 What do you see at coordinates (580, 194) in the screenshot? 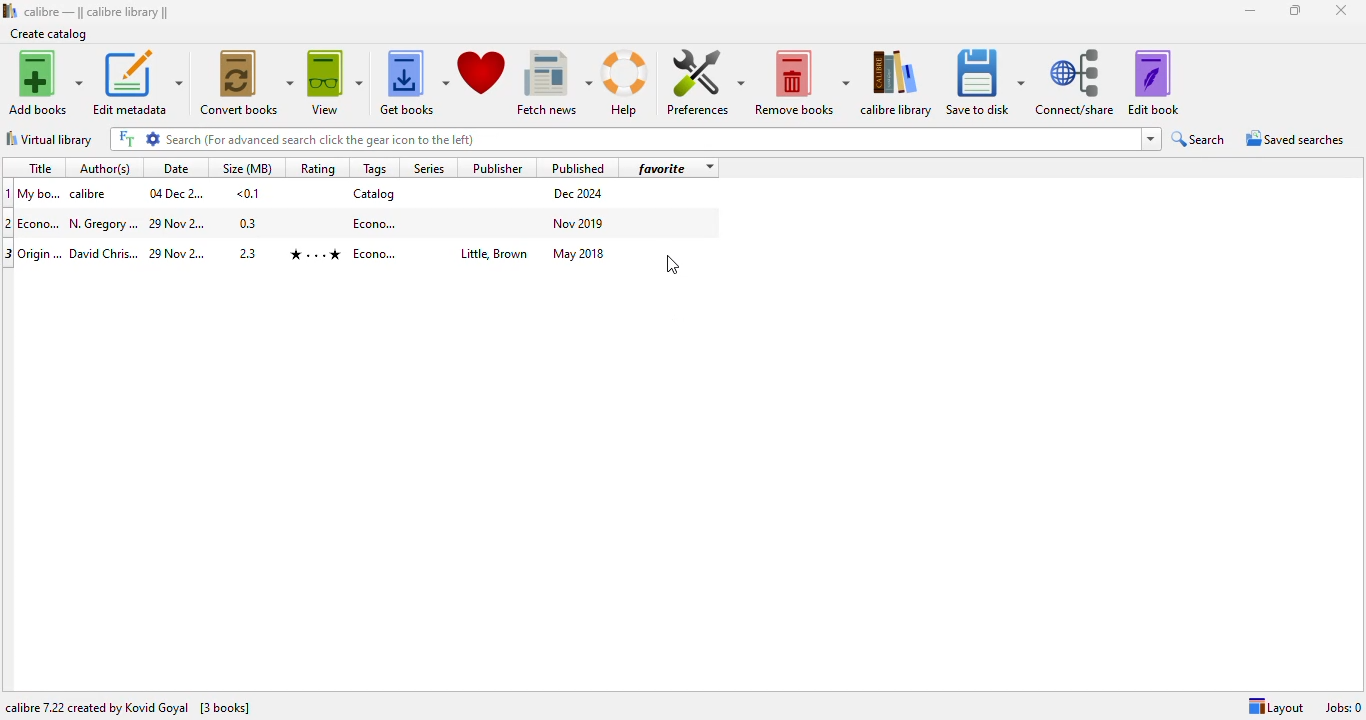
I see `publish date` at bounding box center [580, 194].